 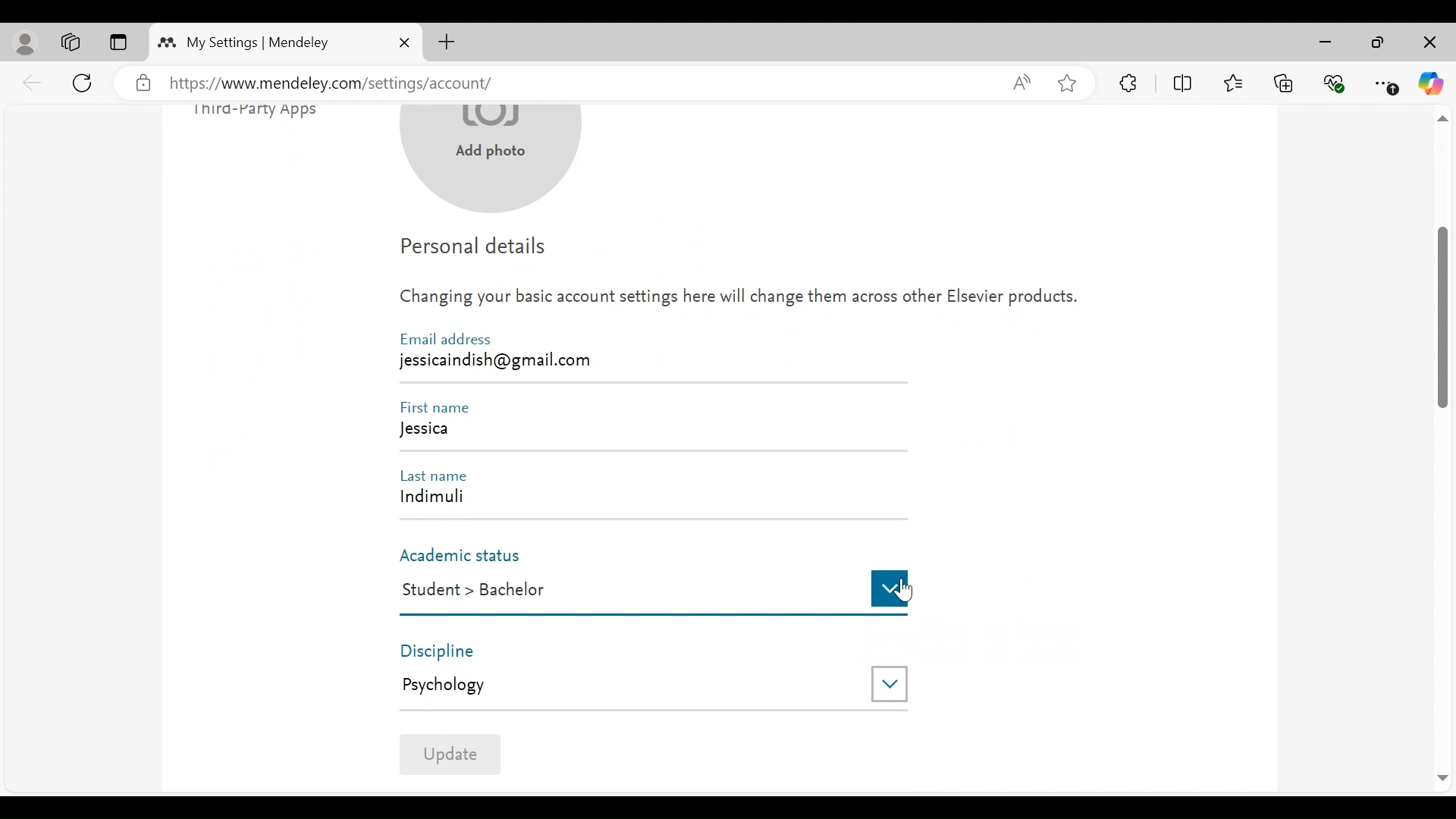 I want to click on Close, so click(x=404, y=42).